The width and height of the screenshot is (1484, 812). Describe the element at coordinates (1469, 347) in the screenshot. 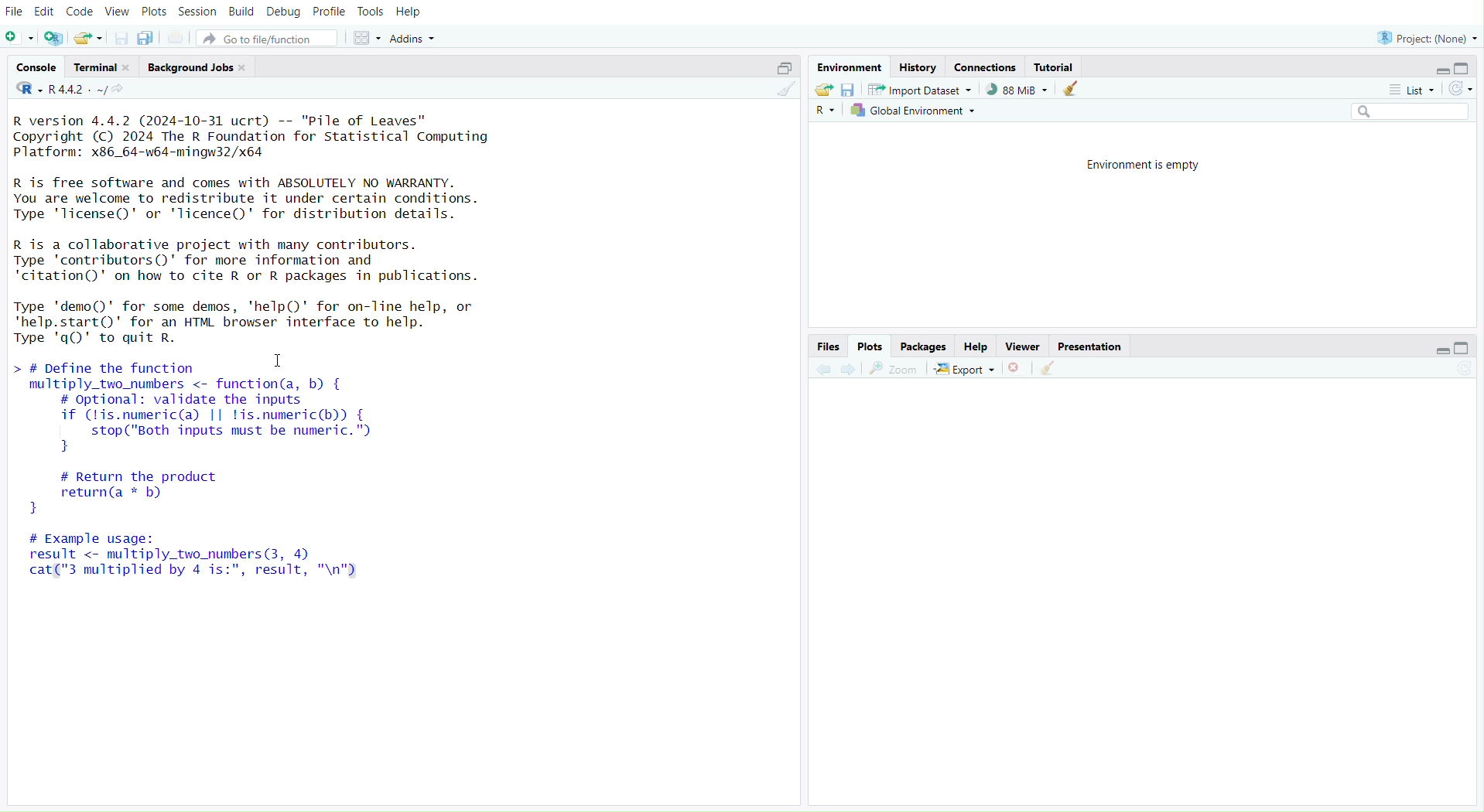

I see `Maximize` at that location.